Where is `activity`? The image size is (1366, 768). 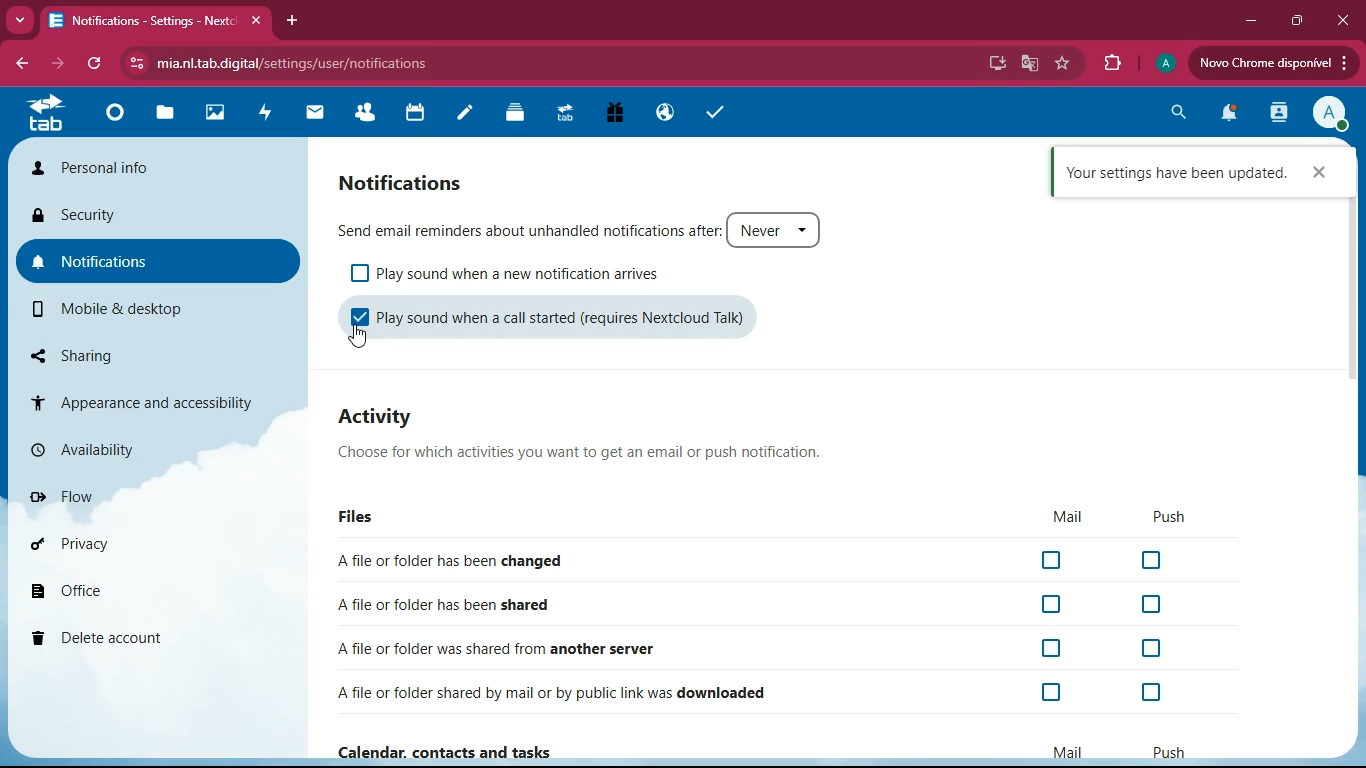
activity is located at coordinates (392, 419).